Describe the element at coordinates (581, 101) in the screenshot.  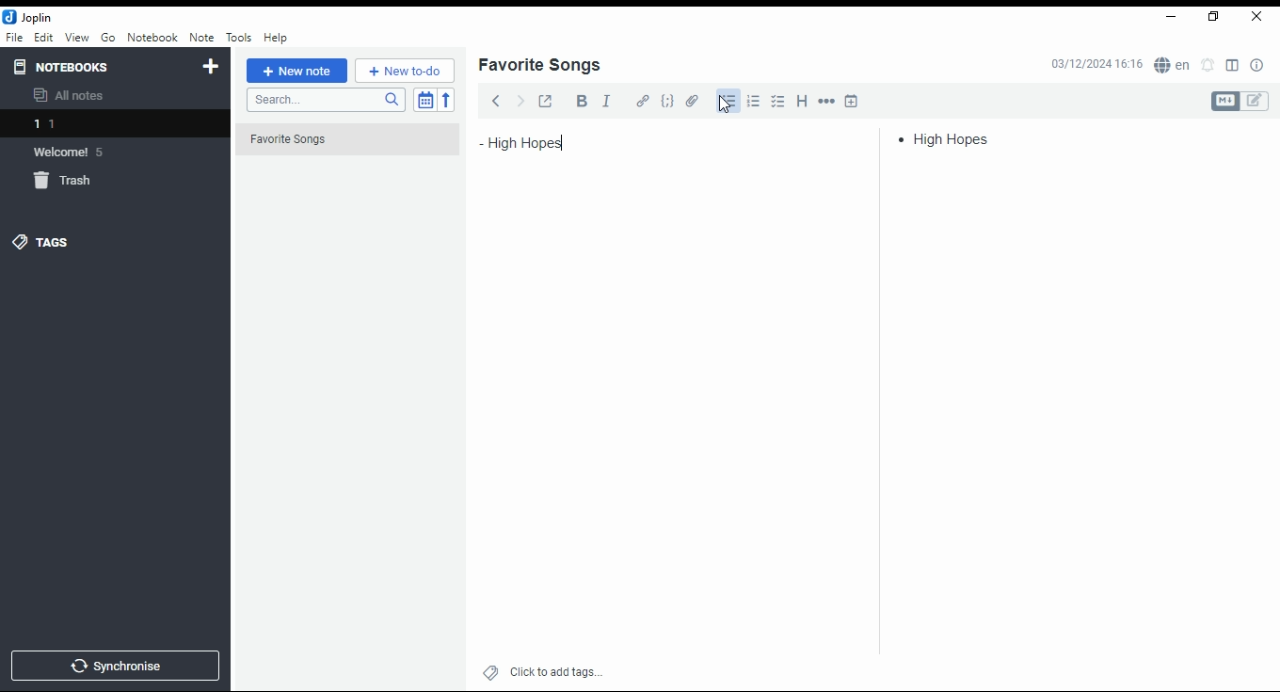
I see `bold` at that location.